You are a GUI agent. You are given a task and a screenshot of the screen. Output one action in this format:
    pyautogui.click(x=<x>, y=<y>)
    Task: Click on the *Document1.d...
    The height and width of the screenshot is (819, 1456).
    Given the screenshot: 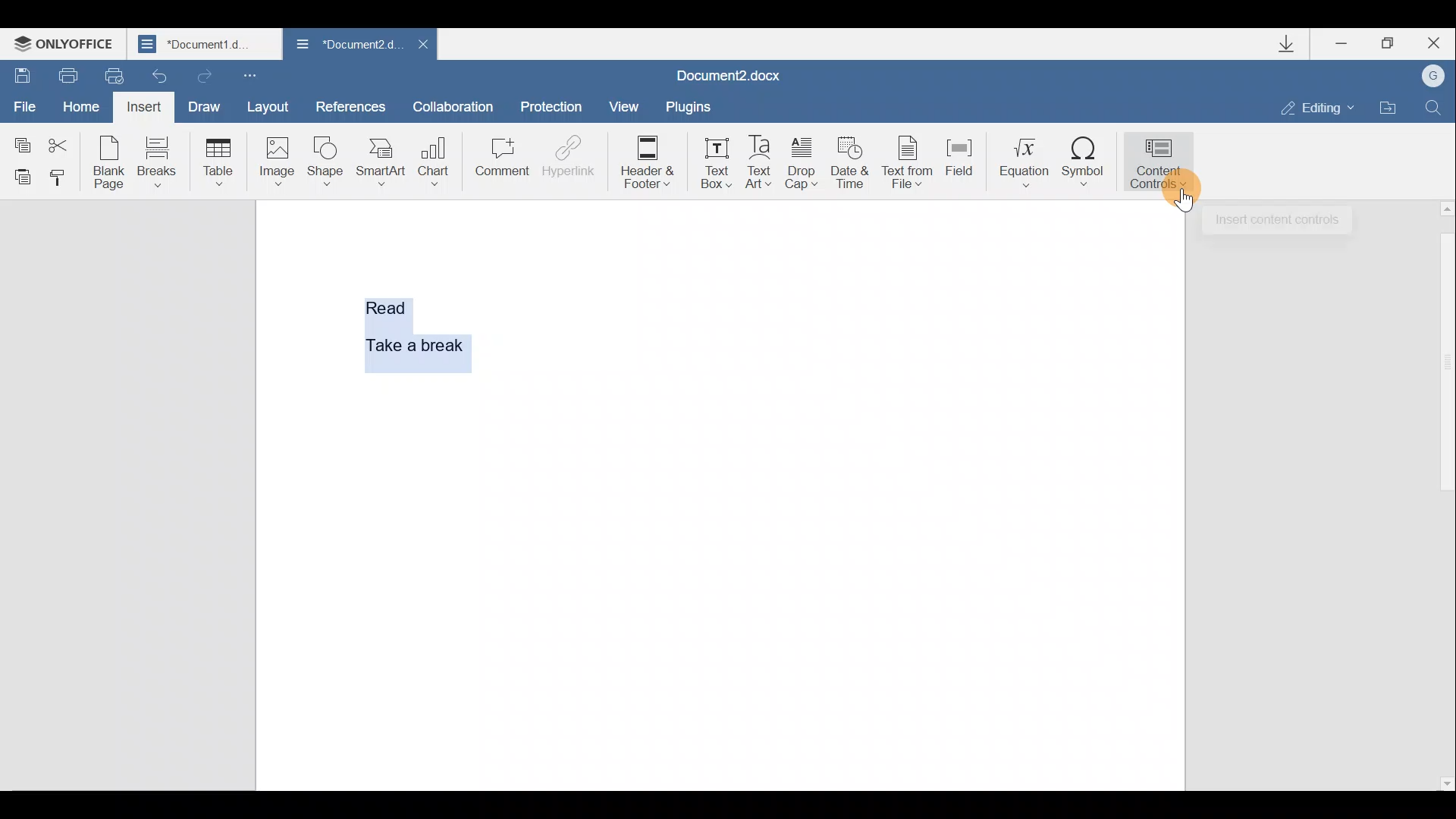 What is the action you would take?
    pyautogui.click(x=206, y=45)
    